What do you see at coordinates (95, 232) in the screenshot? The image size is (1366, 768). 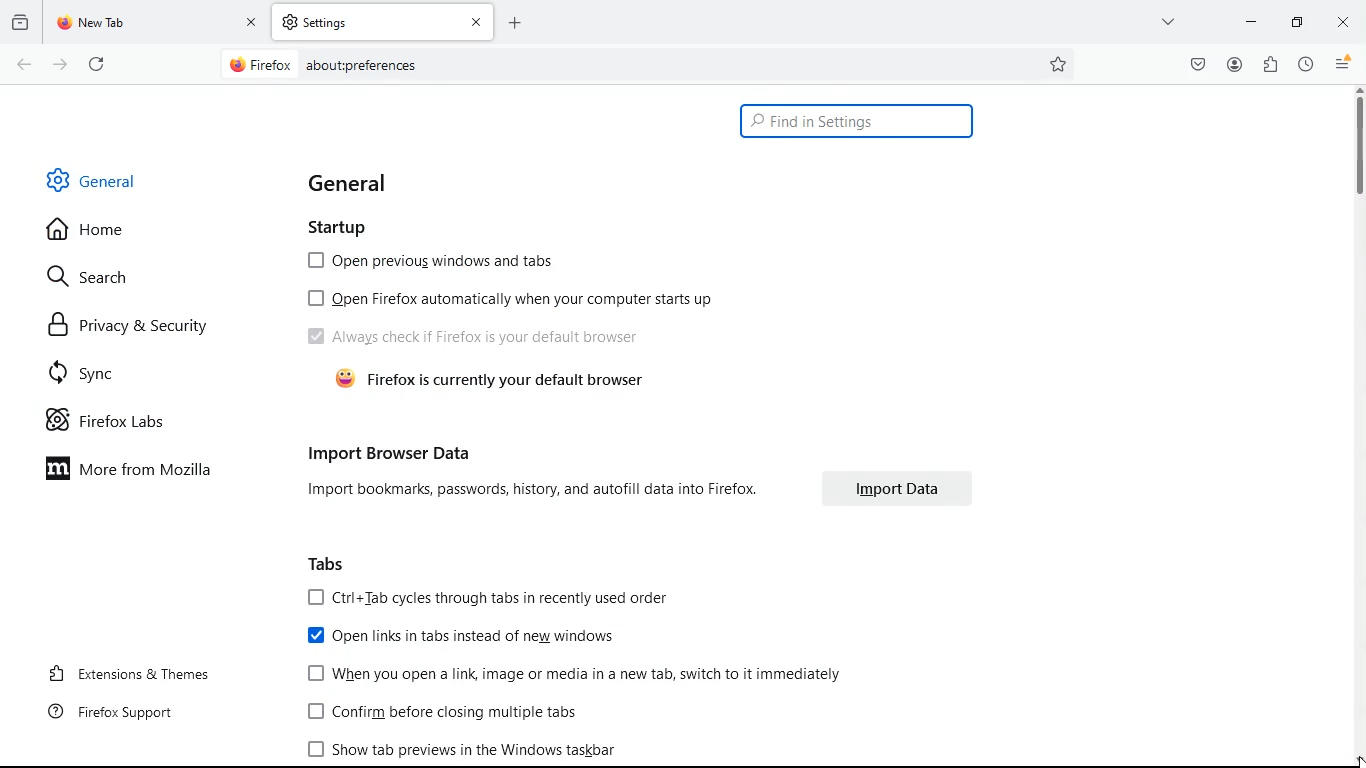 I see `home` at bounding box center [95, 232].